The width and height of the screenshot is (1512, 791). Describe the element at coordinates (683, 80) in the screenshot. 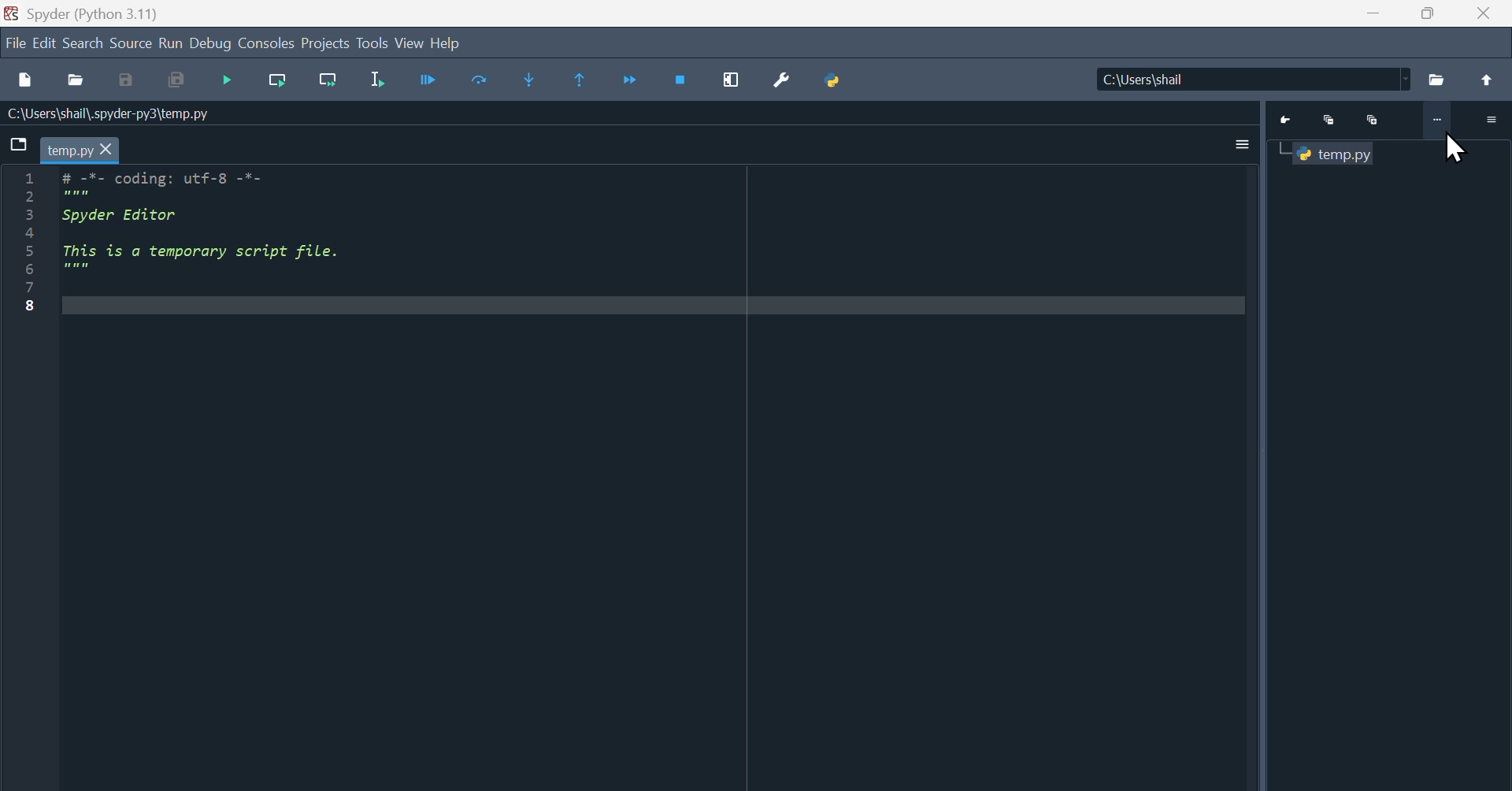

I see `Stop debugging` at that location.